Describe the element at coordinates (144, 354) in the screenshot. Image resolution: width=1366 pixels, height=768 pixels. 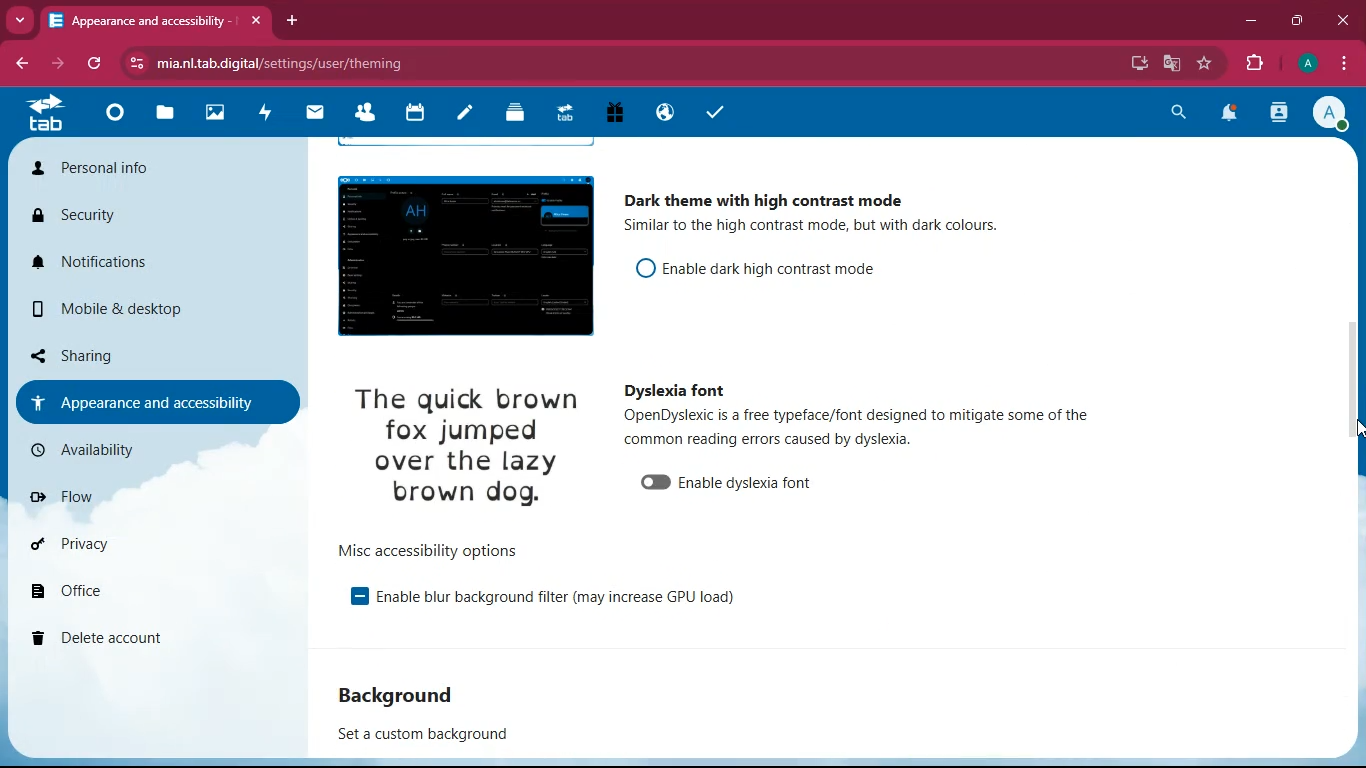
I see `sharing` at that location.